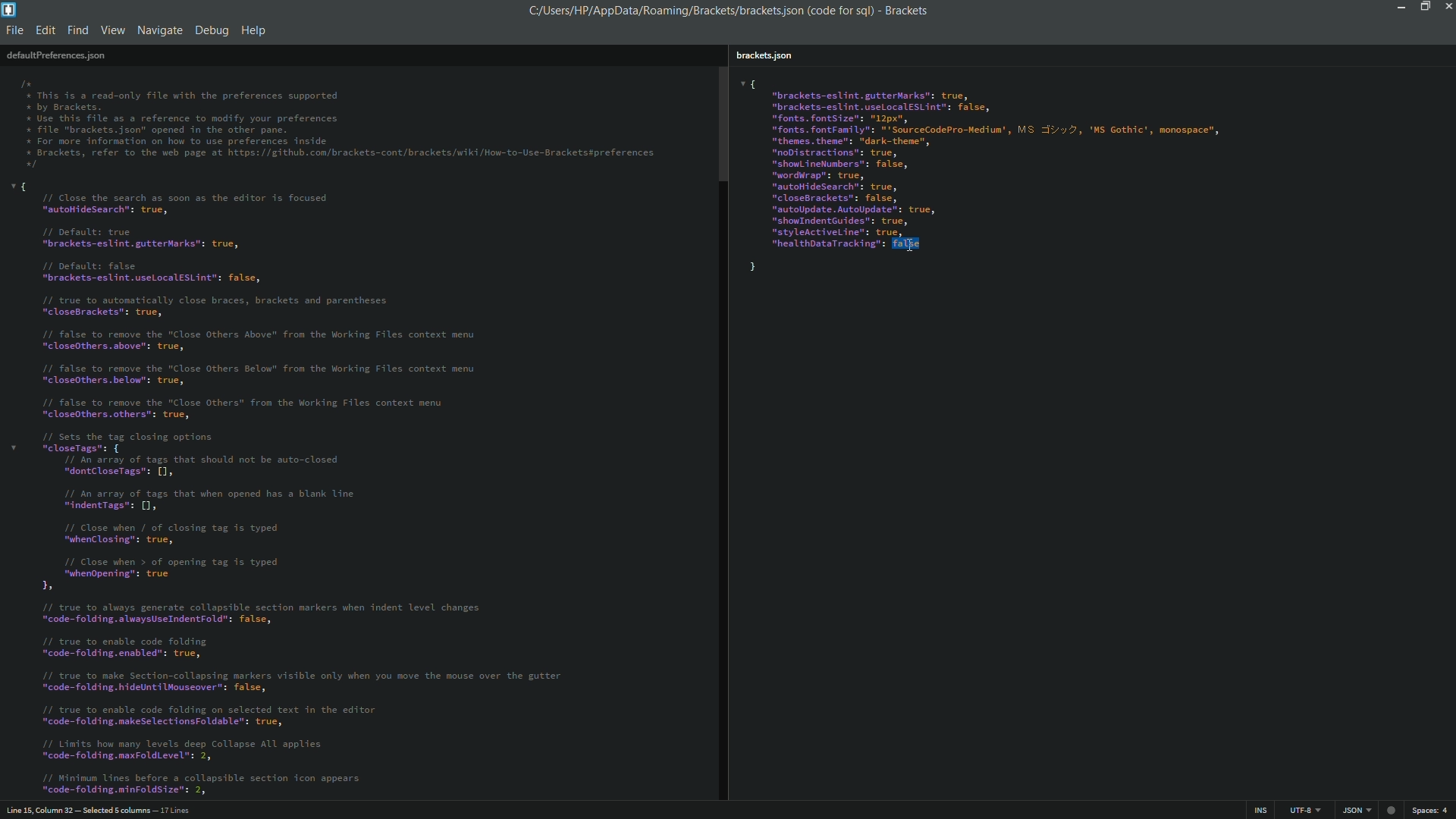  What do you see at coordinates (1006, 179) in the screenshot?
I see `setting options` at bounding box center [1006, 179].